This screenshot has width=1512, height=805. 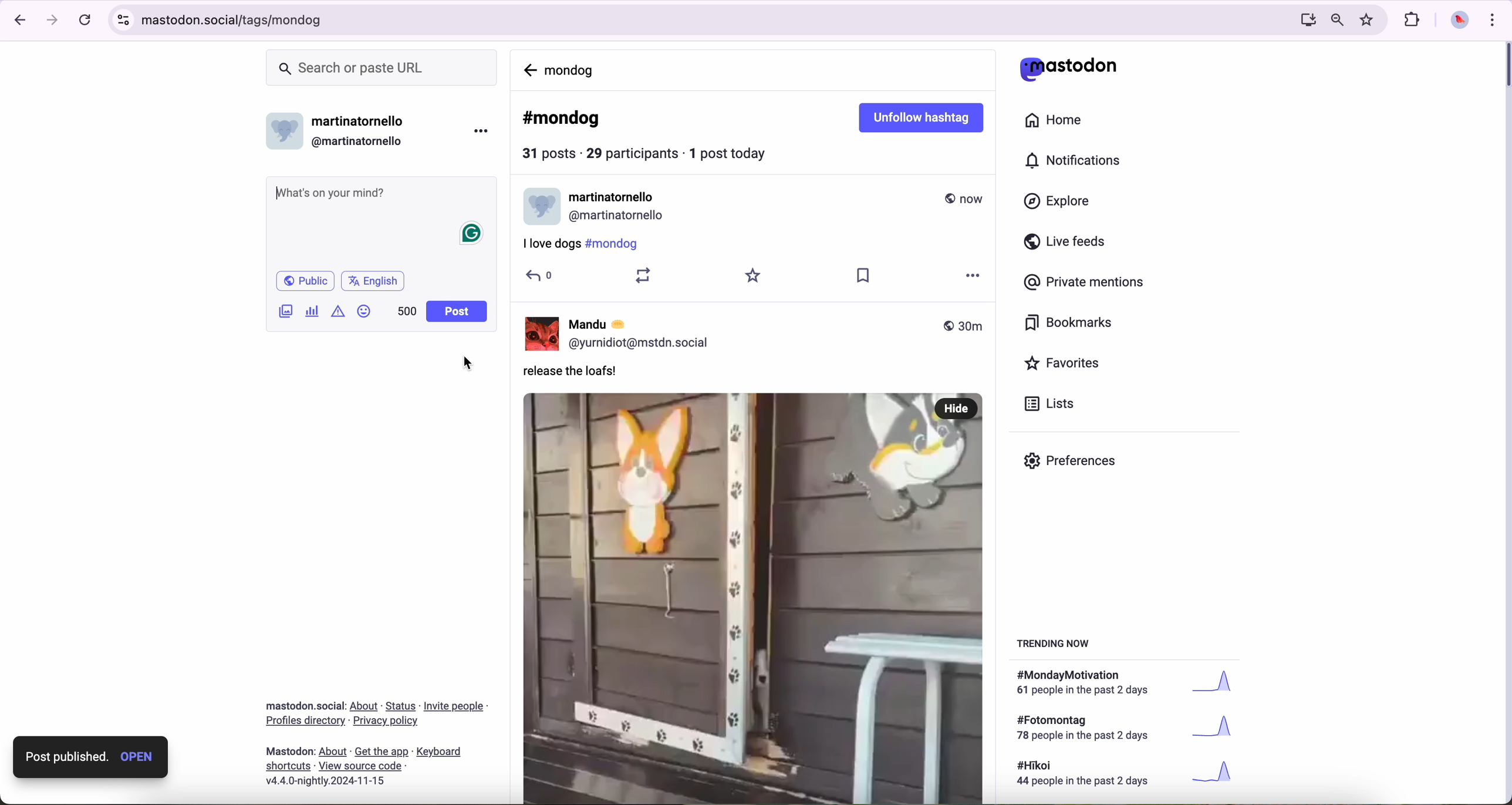 I want to click on link, so click(x=365, y=706).